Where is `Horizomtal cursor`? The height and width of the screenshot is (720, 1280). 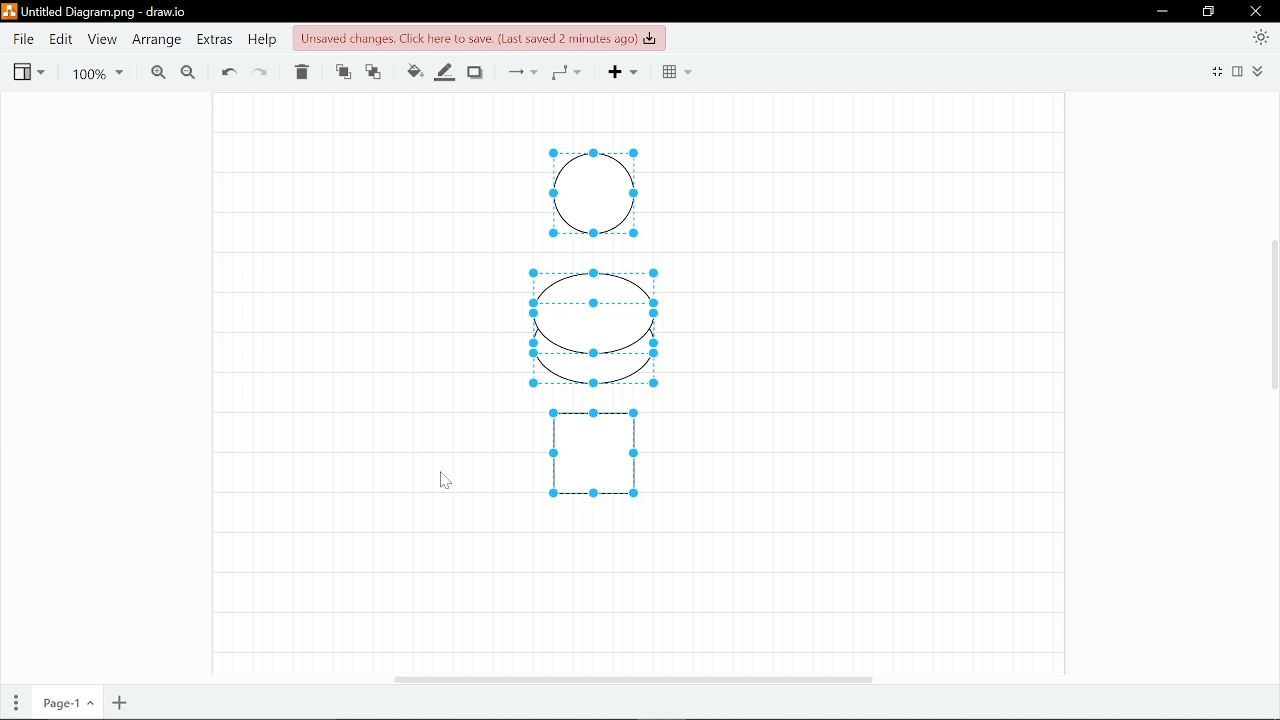
Horizomtal cursor is located at coordinates (632, 678).